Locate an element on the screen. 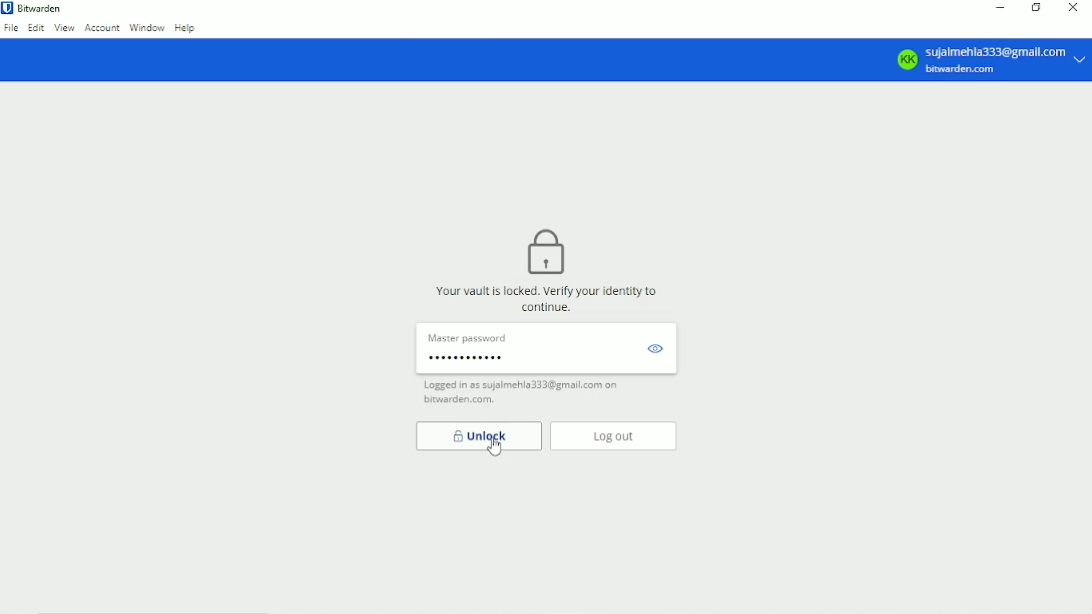 This screenshot has height=614, width=1092. Edit is located at coordinates (37, 28).